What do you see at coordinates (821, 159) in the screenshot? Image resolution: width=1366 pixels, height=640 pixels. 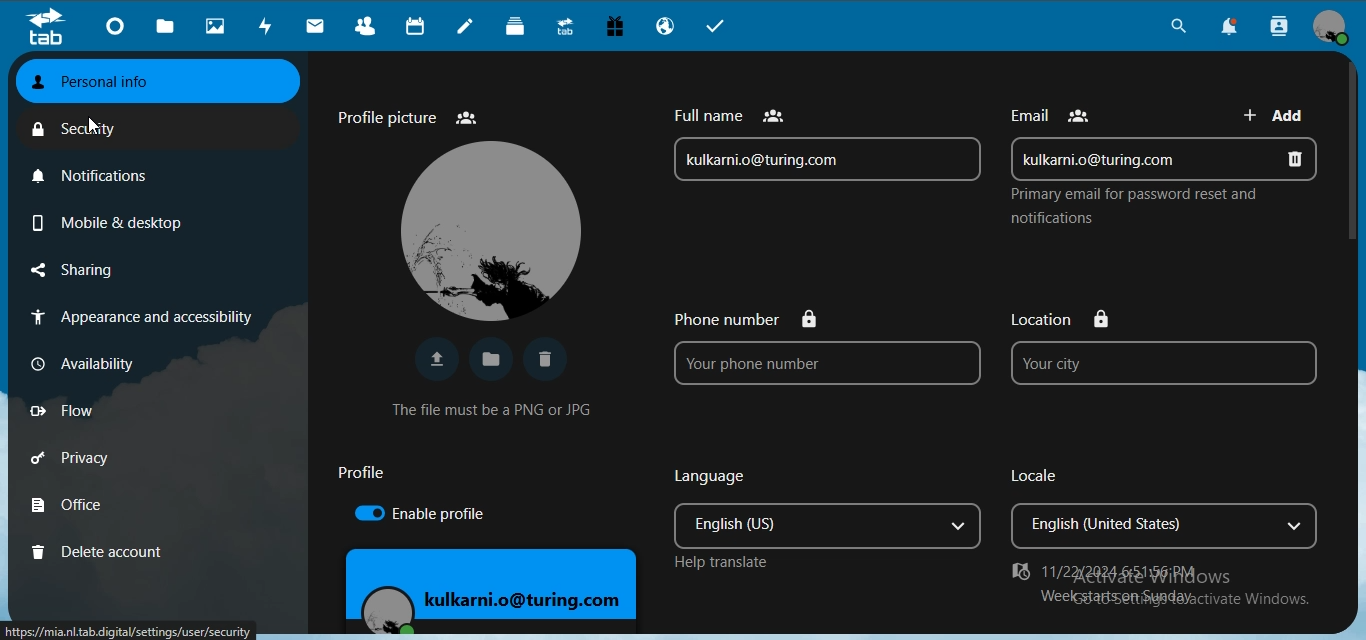 I see `email address` at bounding box center [821, 159].